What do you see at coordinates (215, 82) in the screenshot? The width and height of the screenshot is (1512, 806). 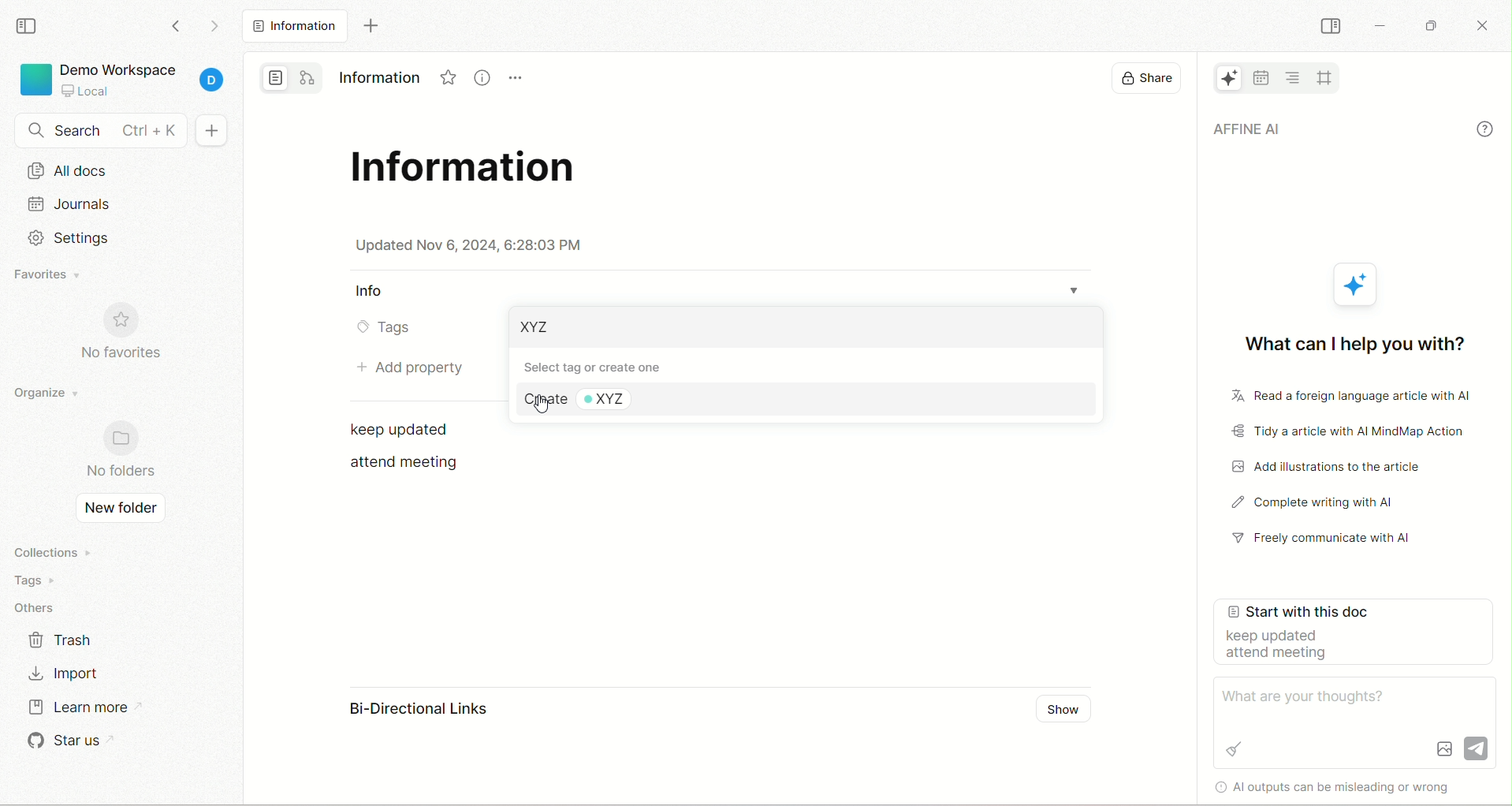 I see `account` at bounding box center [215, 82].